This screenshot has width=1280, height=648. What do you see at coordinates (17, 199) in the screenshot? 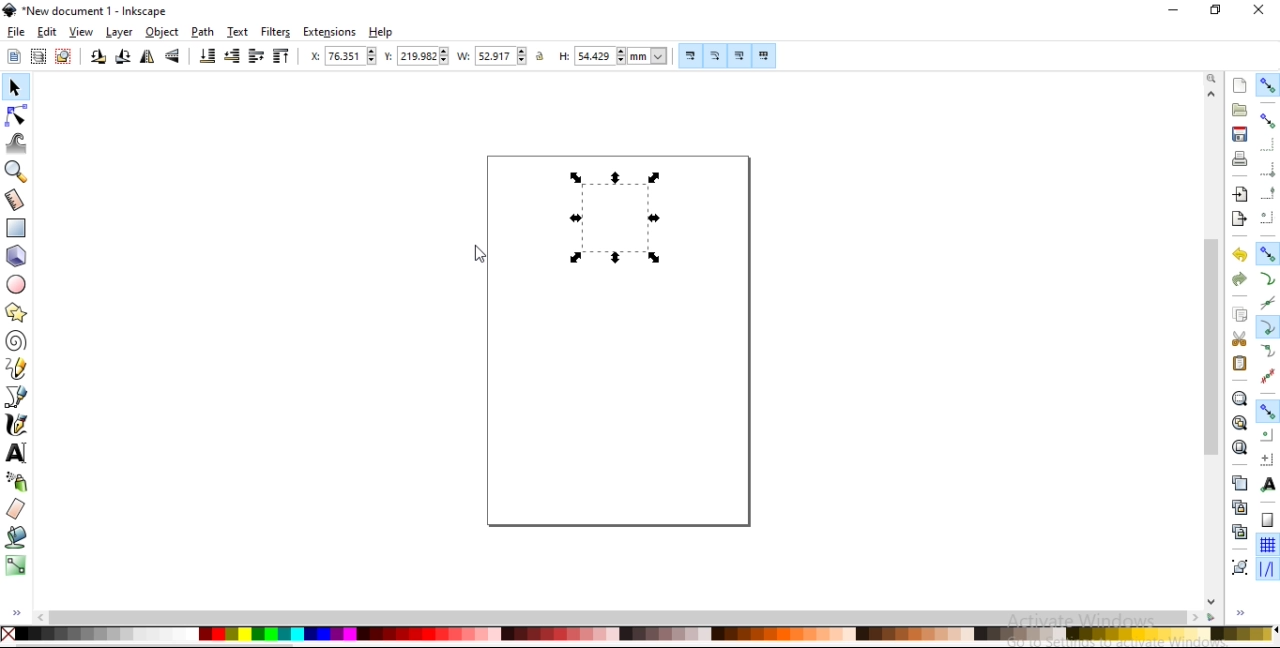
I see `measurement tool ` at bounding box center [17, 199].